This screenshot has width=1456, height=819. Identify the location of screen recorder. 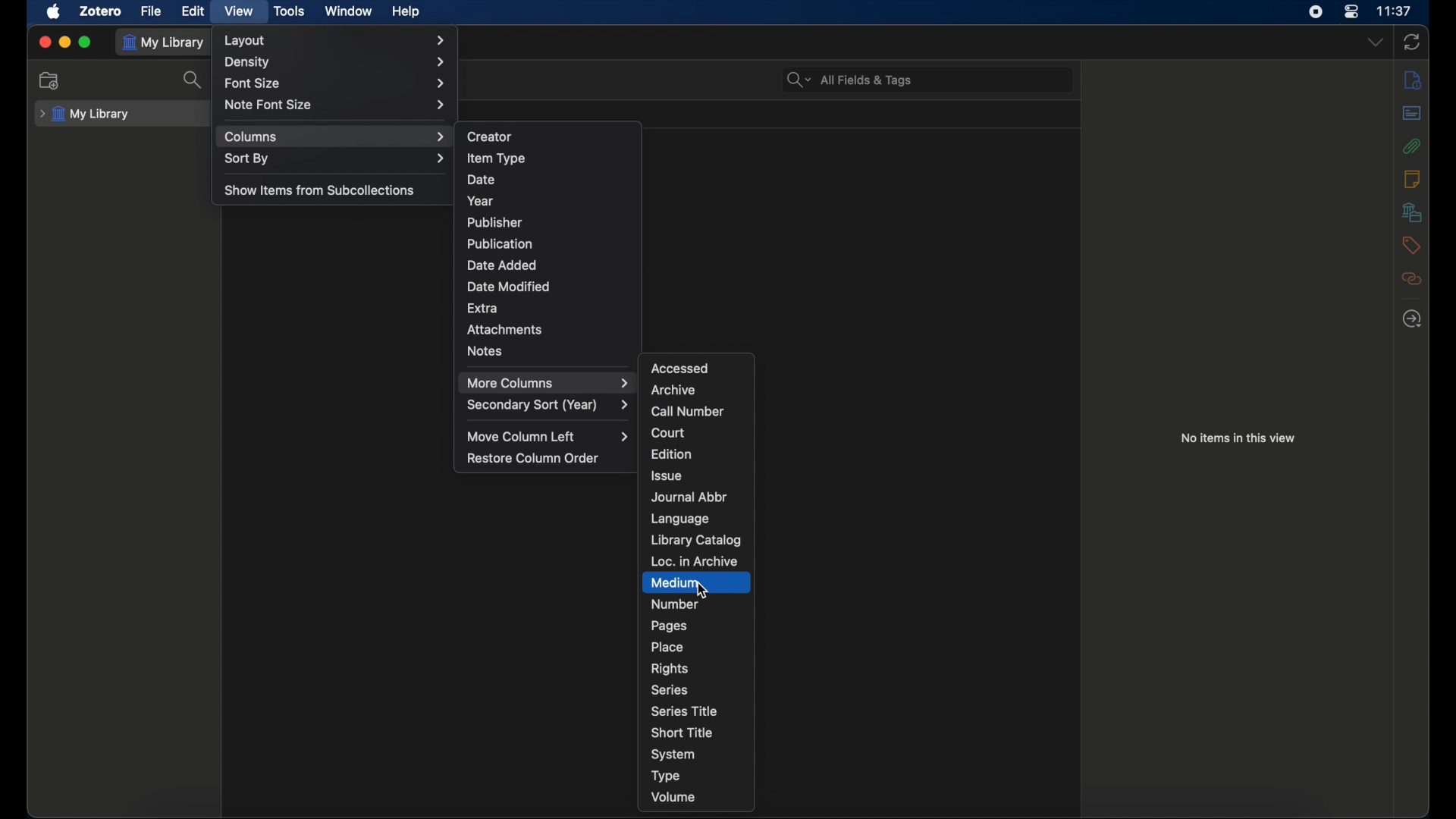
(1318, 12).